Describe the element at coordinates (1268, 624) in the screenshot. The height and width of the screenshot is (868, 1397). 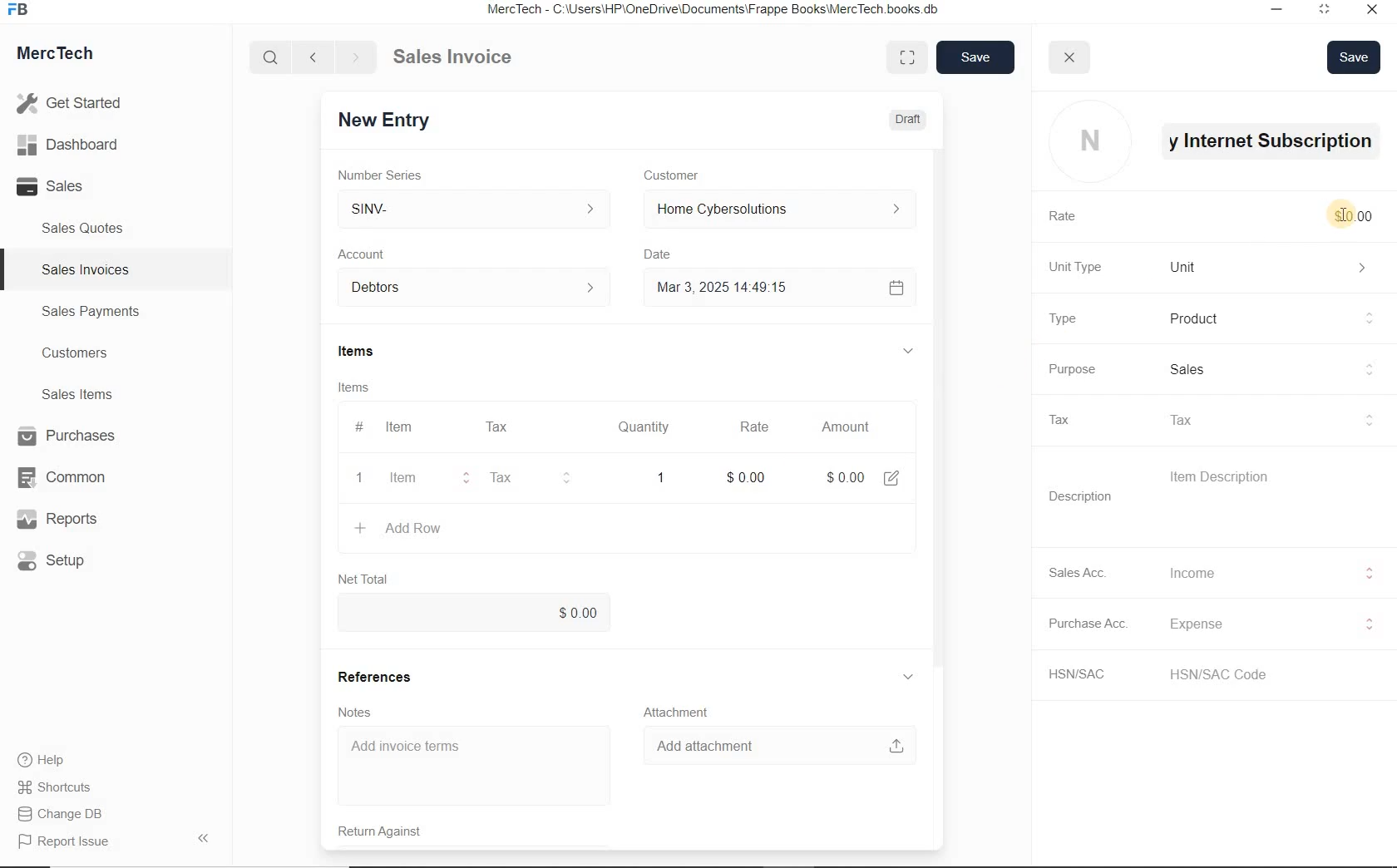
I see `Expense` at that location.